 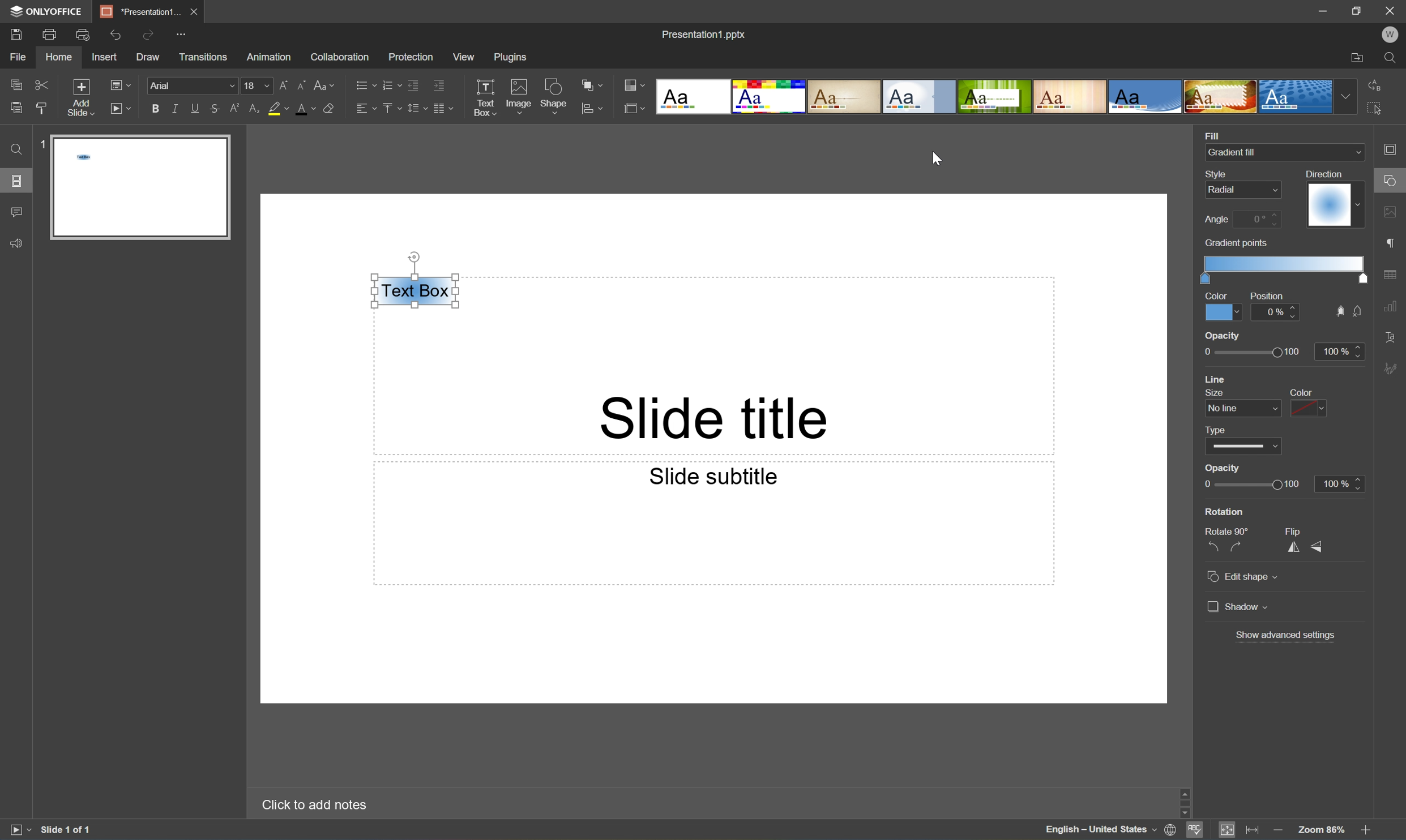 What do you see at coordinates (81, 36) in the screenshot?
I see `Quick print` at bounding box center [81, 36].